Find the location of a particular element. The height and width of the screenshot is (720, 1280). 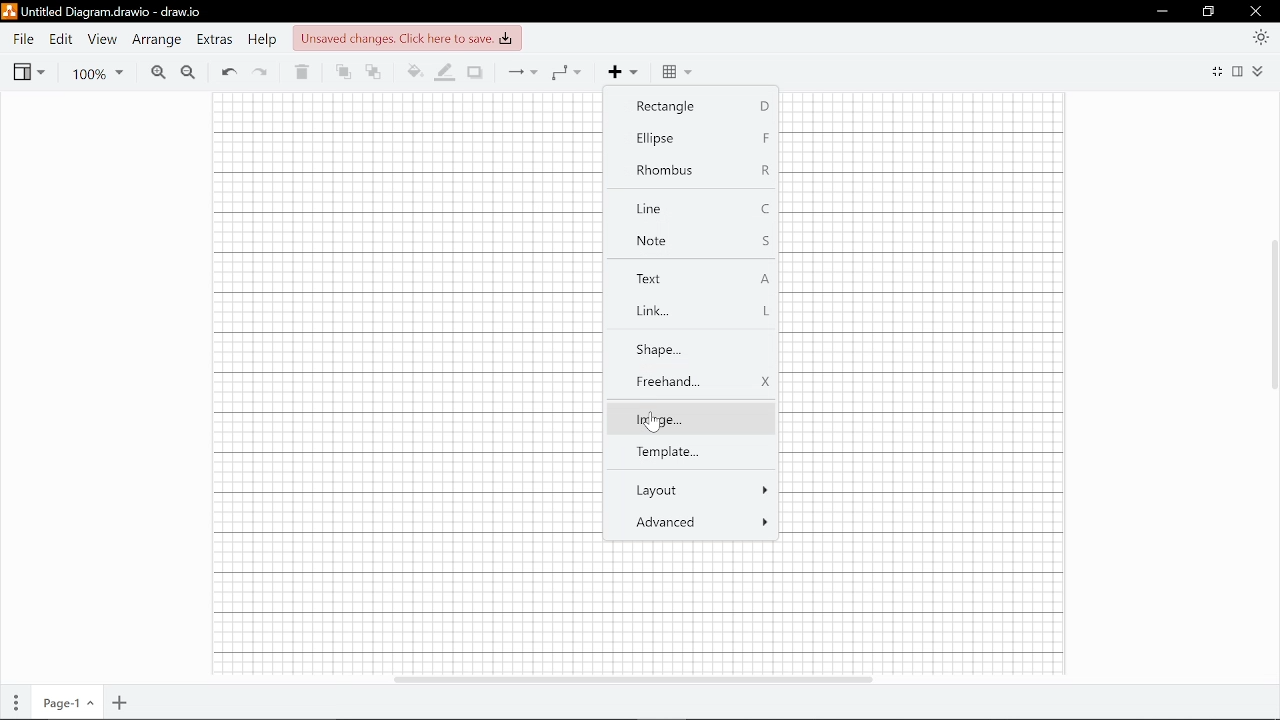

Horizontal scrollbar is located at coordinates (634, 679).